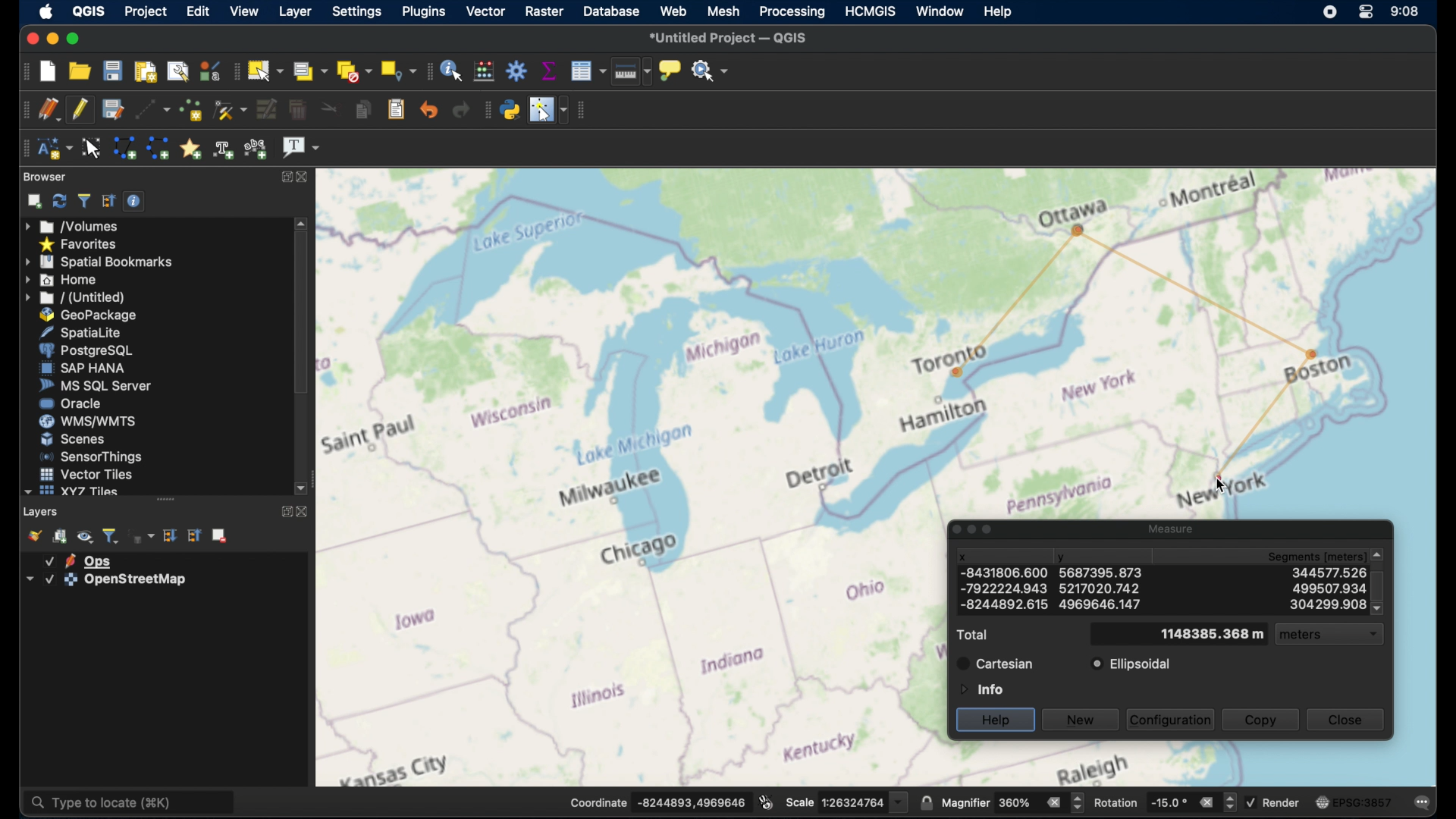  Describe the element at coordinates (89, 315) in the screenshot. I see `geopackage` at that location.